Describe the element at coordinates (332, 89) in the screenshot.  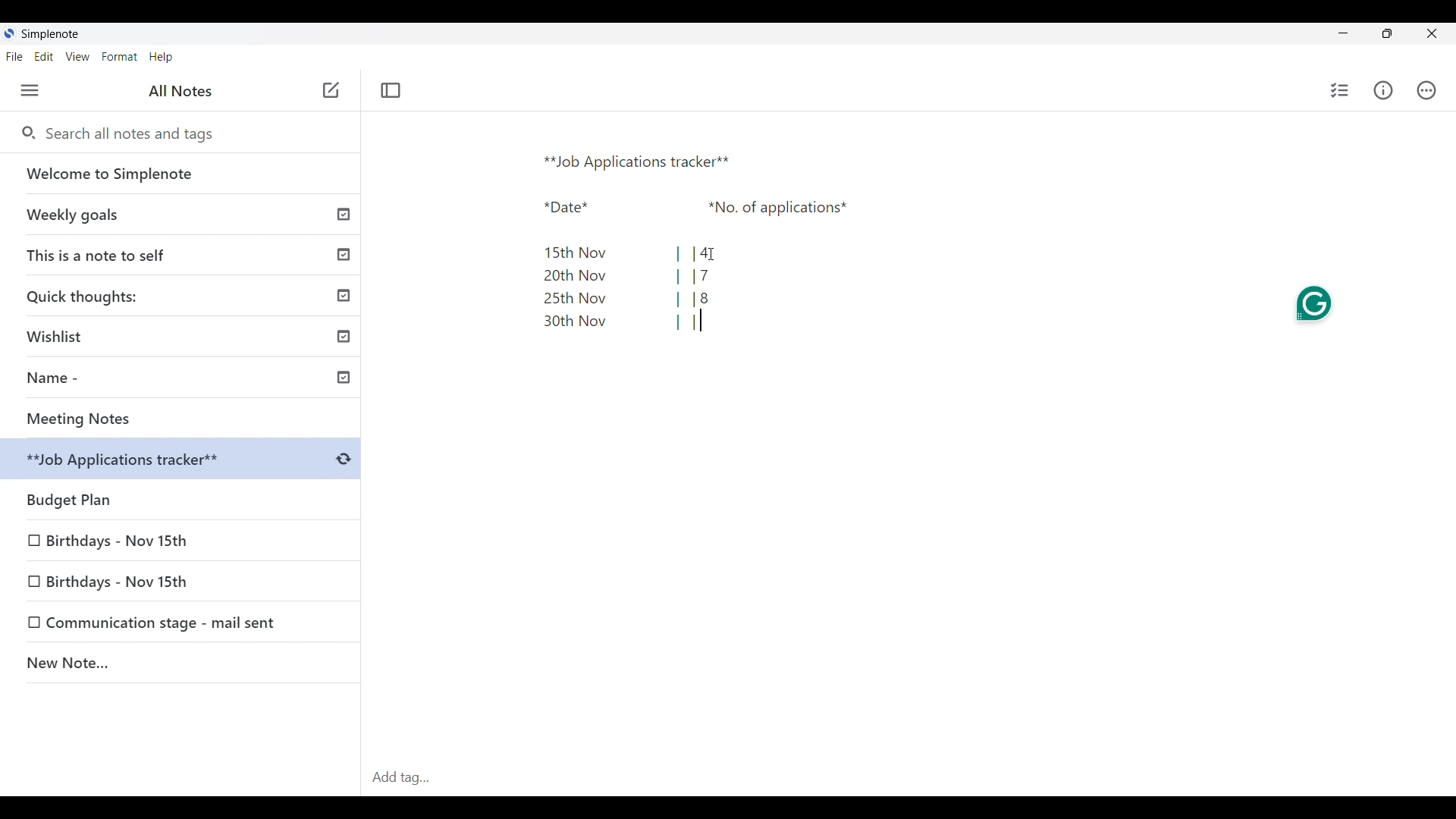
I see `Click to add note` at that location.